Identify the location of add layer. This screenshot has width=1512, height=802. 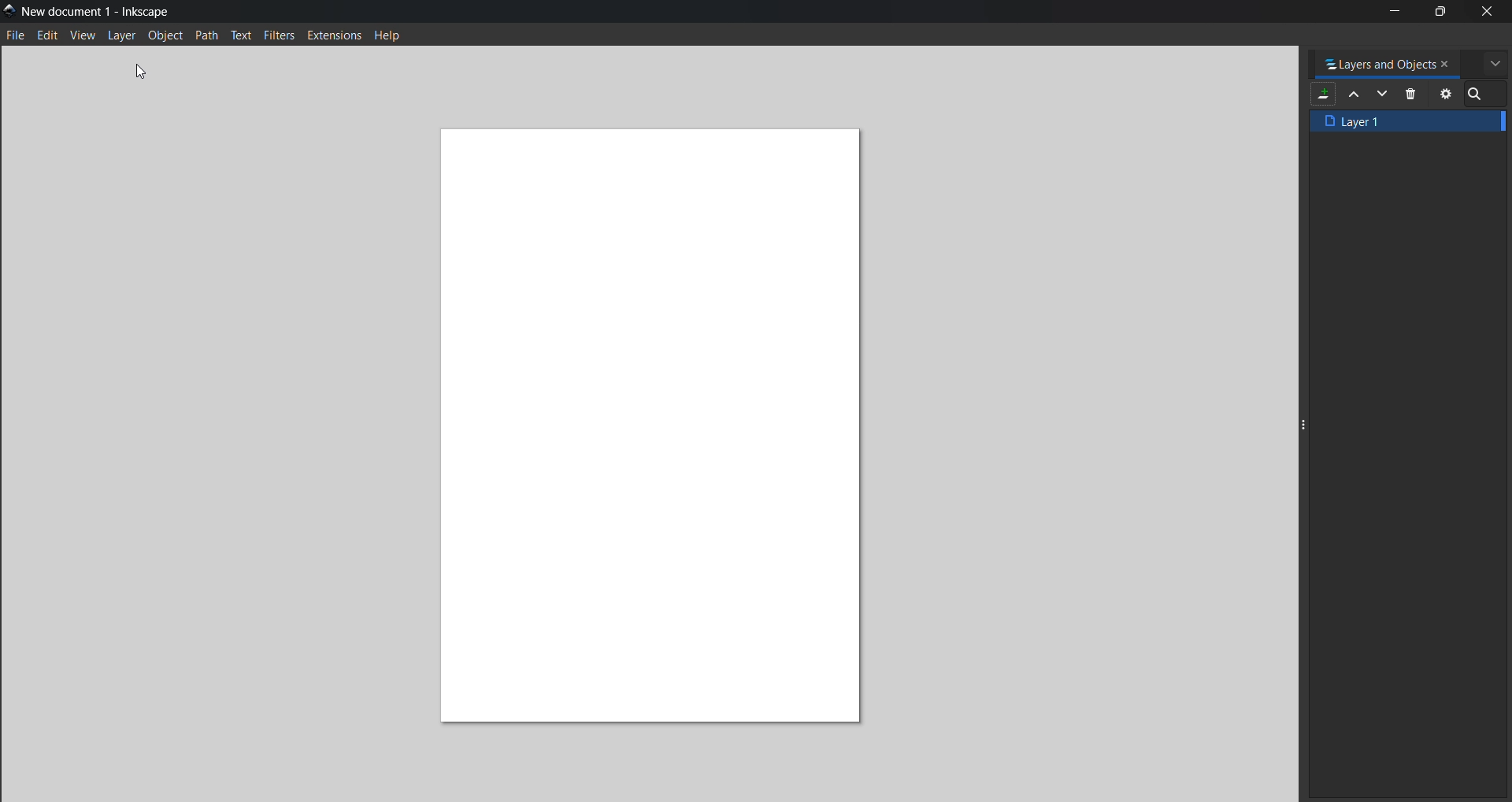
(1324, 94).